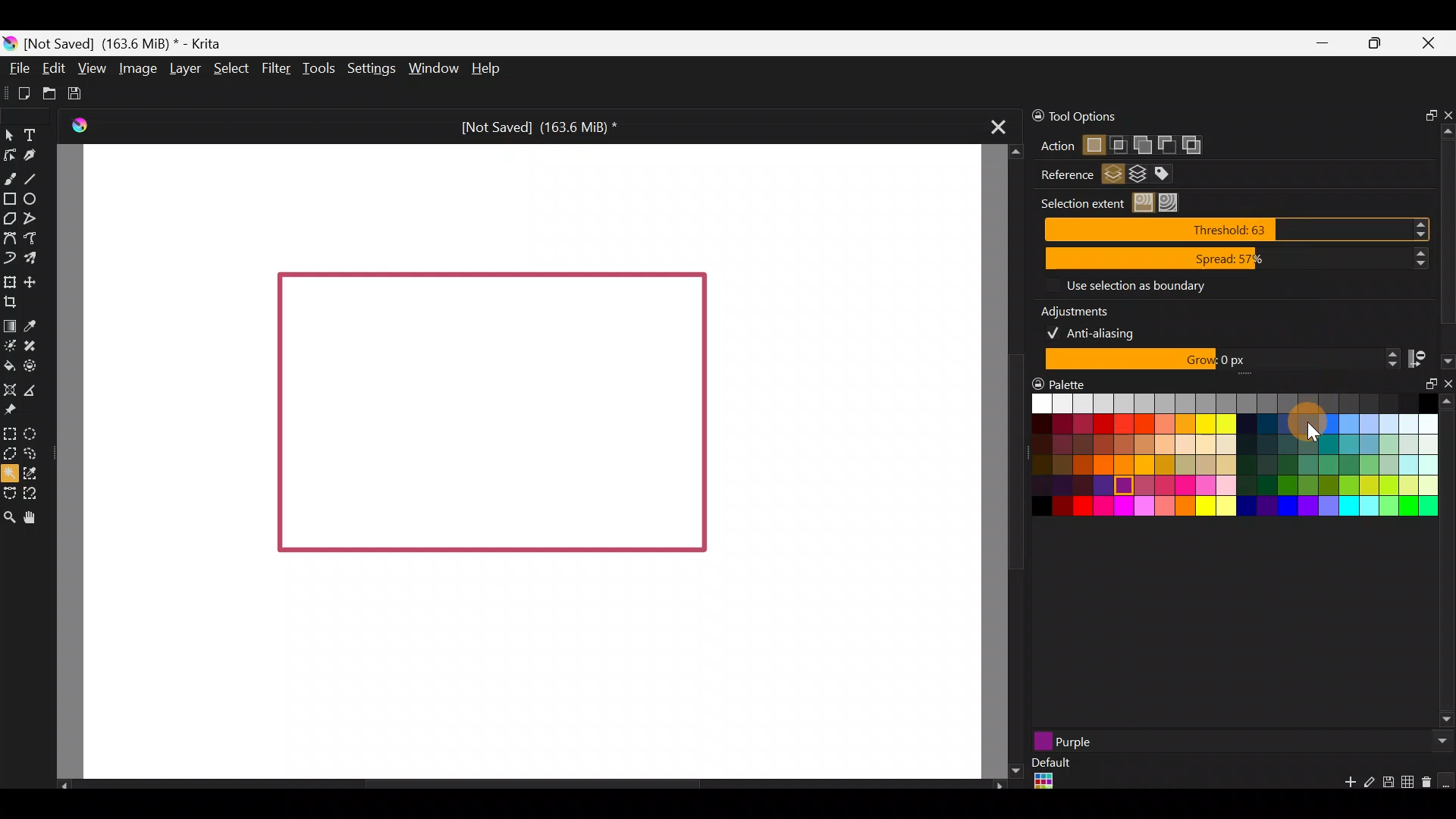 The width and height of the screenshot is (1456, 819). What do you see at coordinates (1172, 202) in the screenshot?
I see `Select all regions until a specific boundary colour` at bounding box center [1172, 202].